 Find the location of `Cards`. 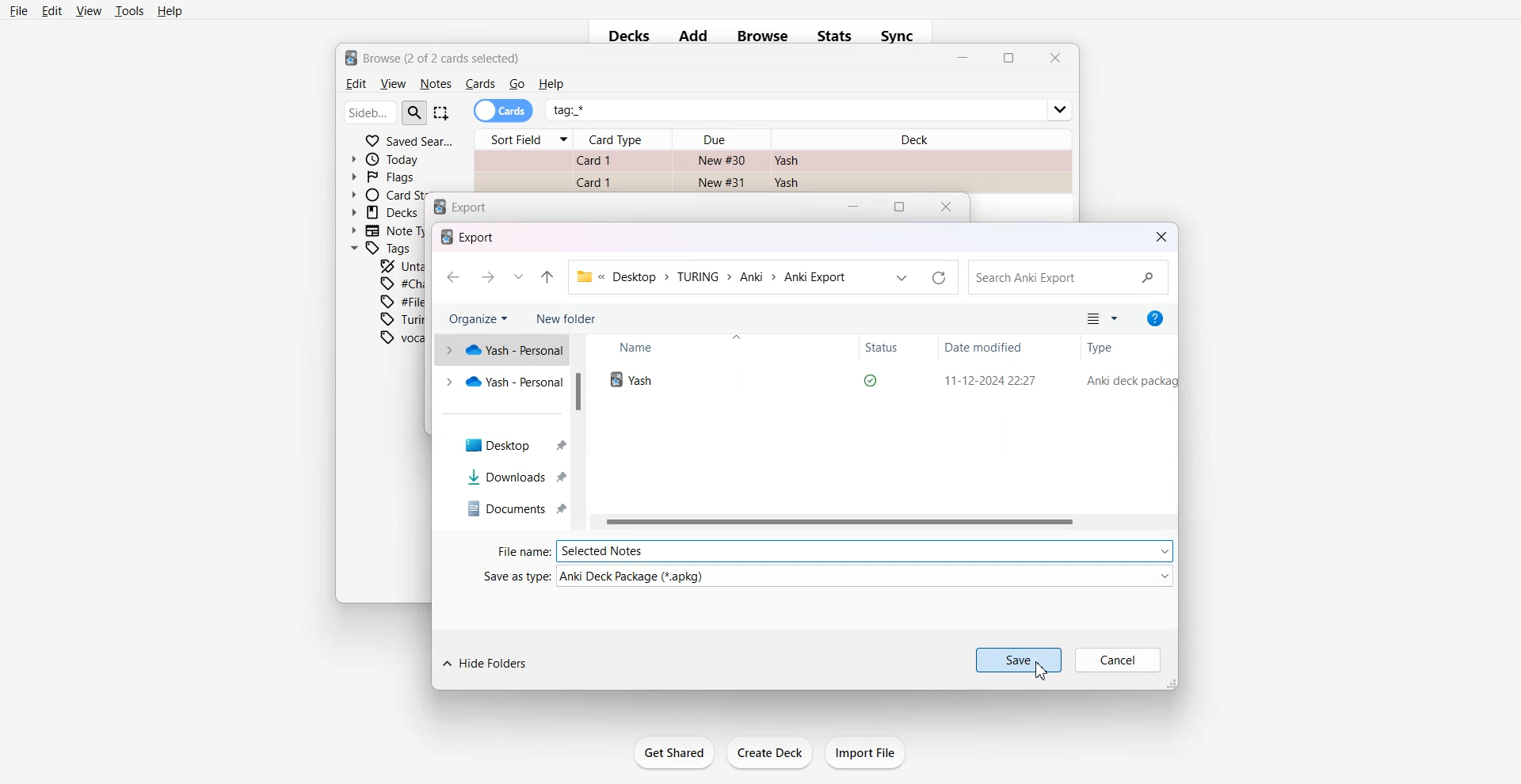

Cards is located at coordinates (504, 111).